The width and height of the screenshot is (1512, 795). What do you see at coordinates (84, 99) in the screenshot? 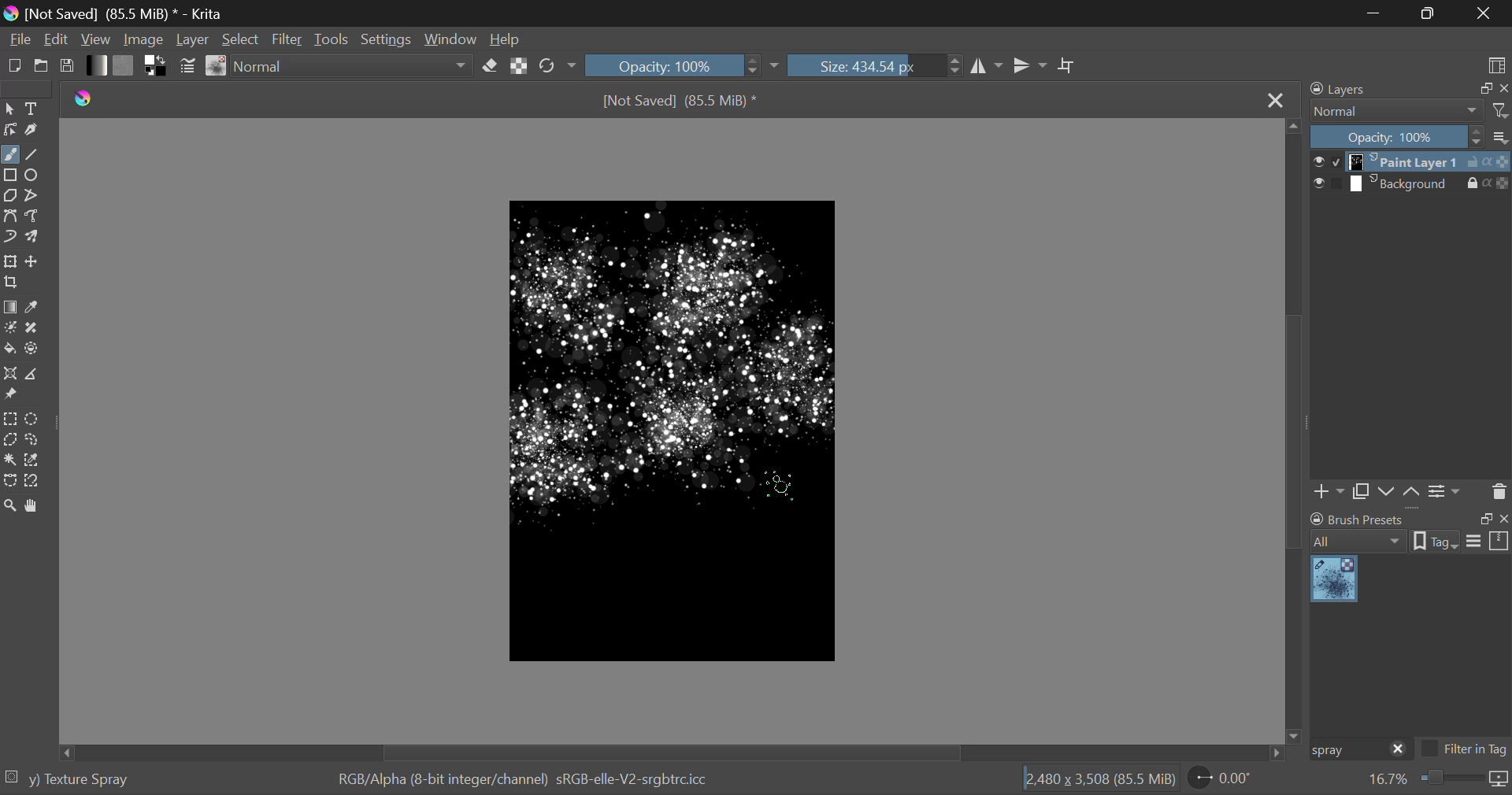
I see `logo` at bounding box center [84, 99].